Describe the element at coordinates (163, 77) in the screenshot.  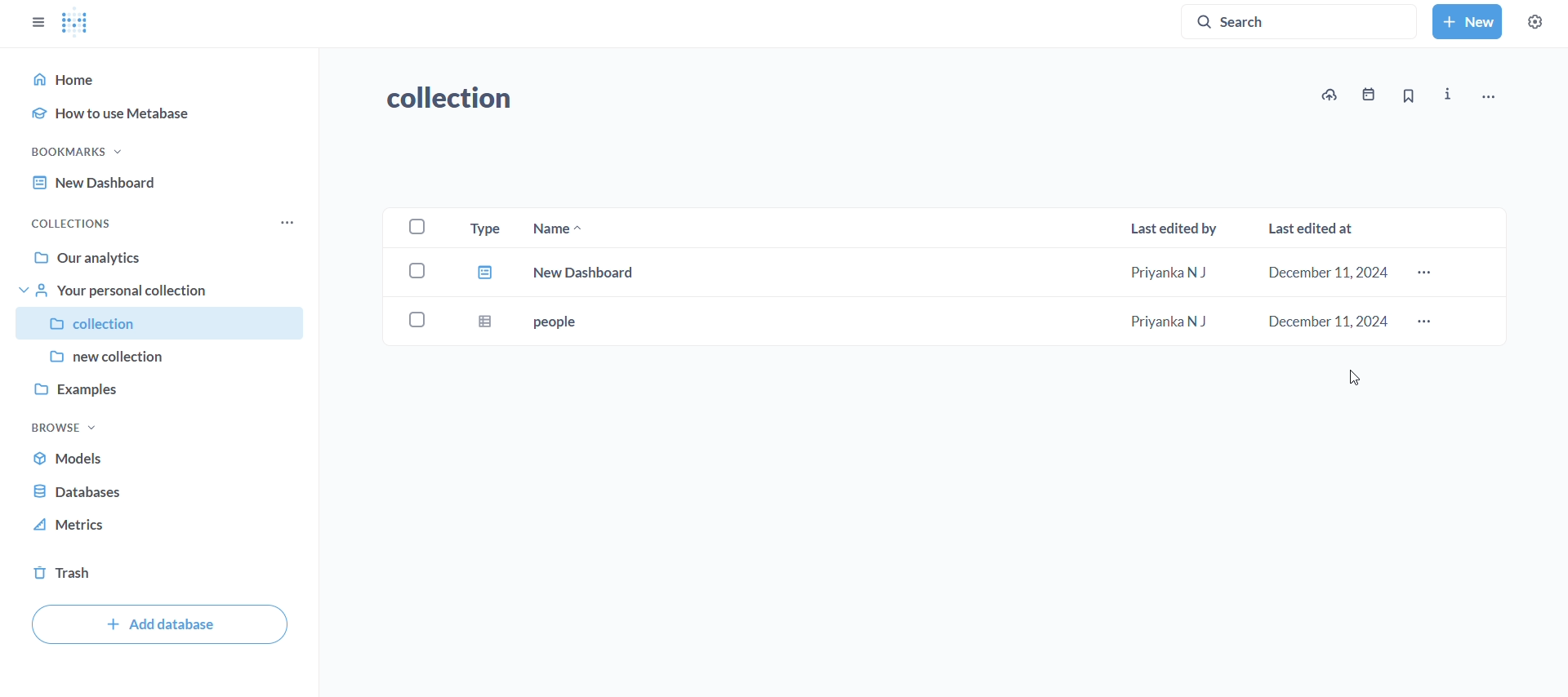
I see `home ` at that location.